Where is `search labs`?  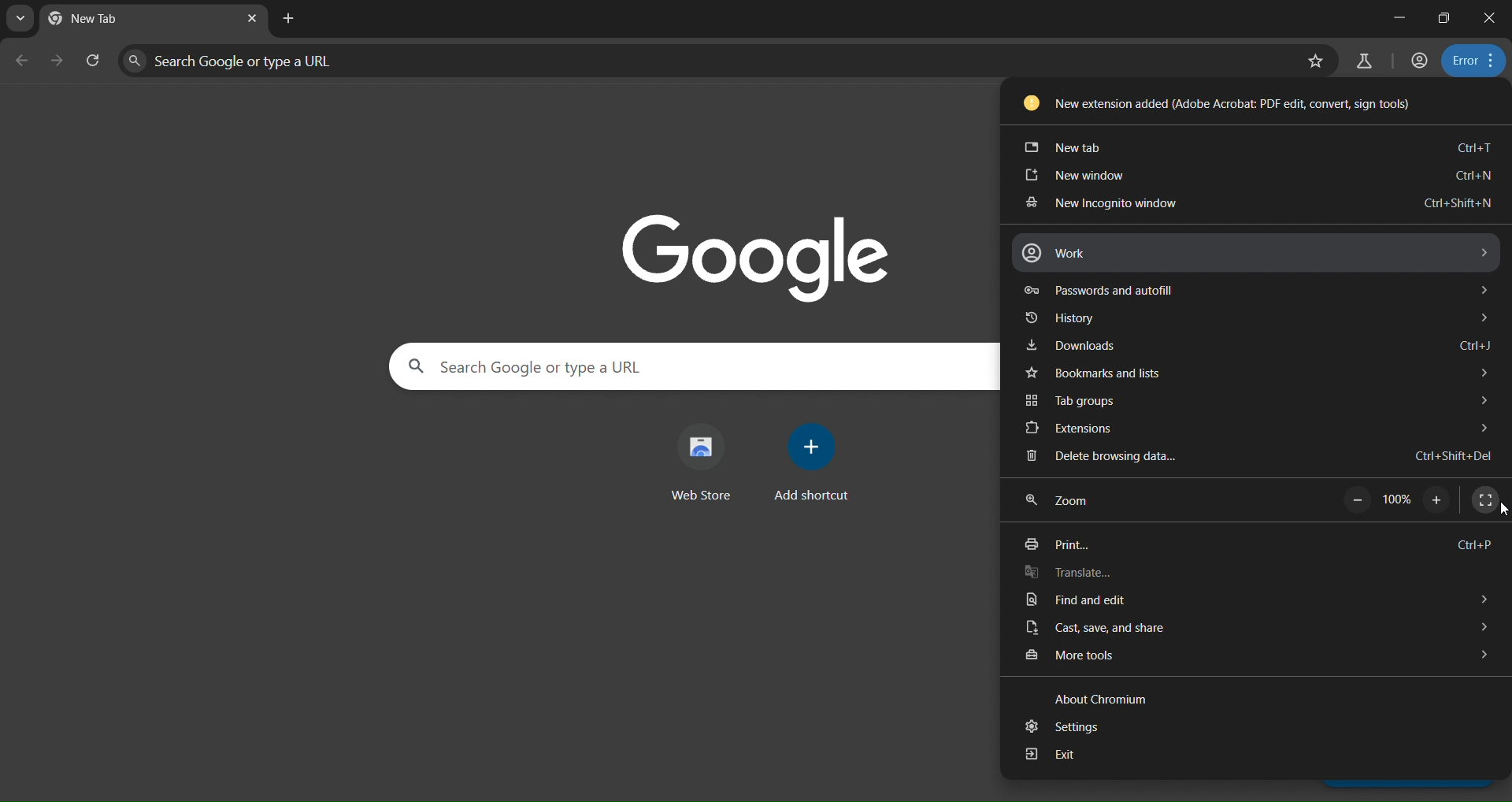
search labs is located at coordinates (1362, 61).